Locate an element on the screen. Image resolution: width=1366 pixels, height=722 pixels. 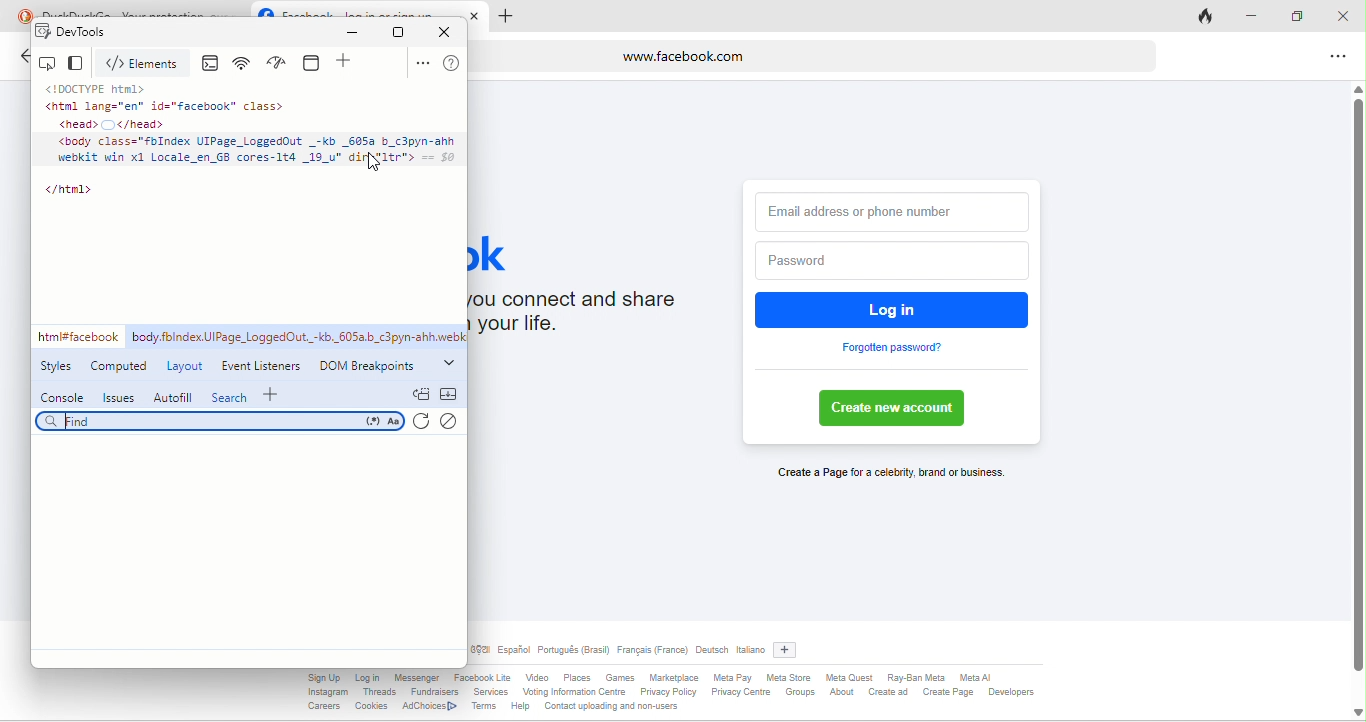
styles is located at coordinates (60, 368).